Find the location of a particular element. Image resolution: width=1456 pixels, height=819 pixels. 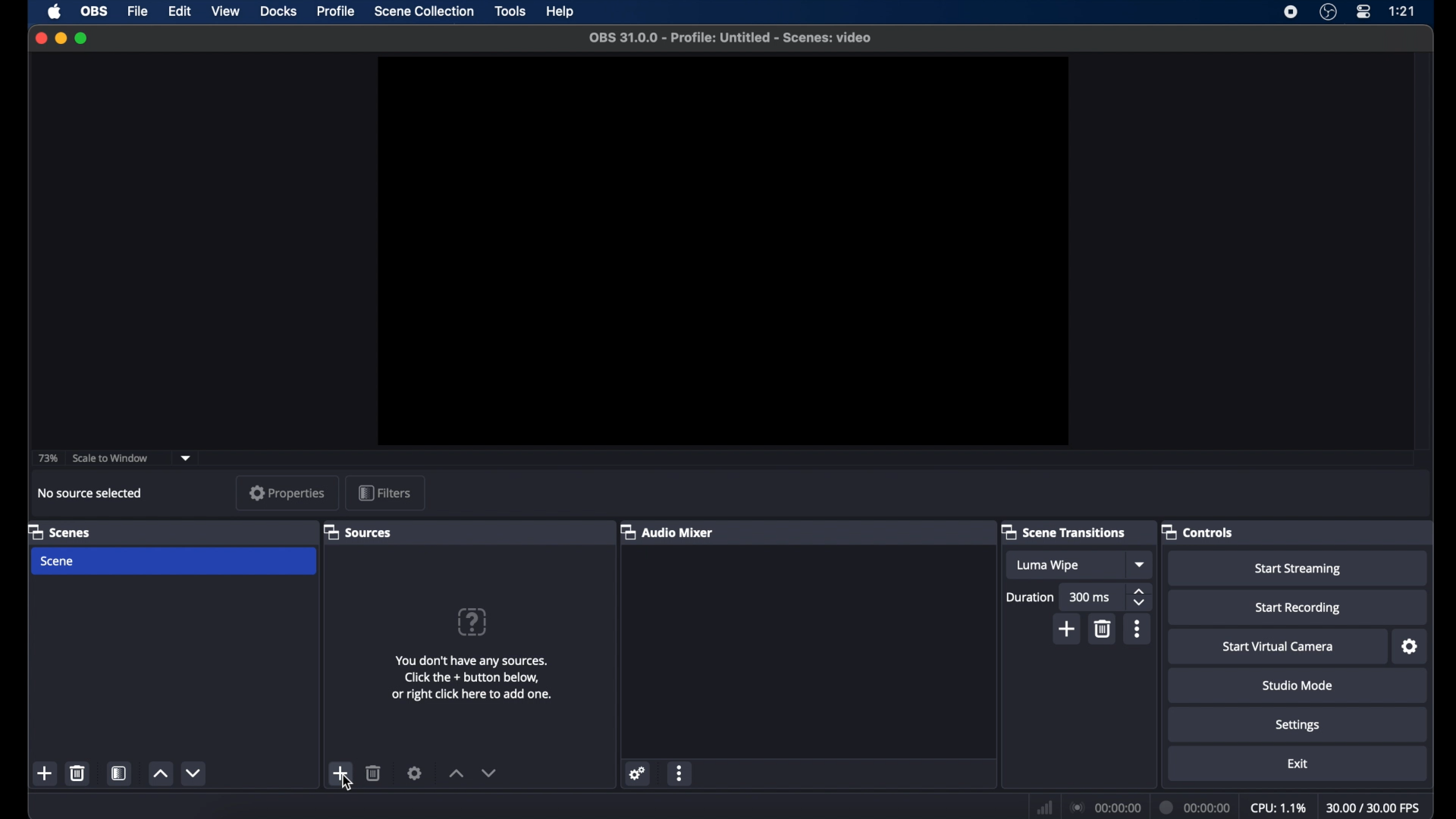

settings is located at coordinates (1410, 647).